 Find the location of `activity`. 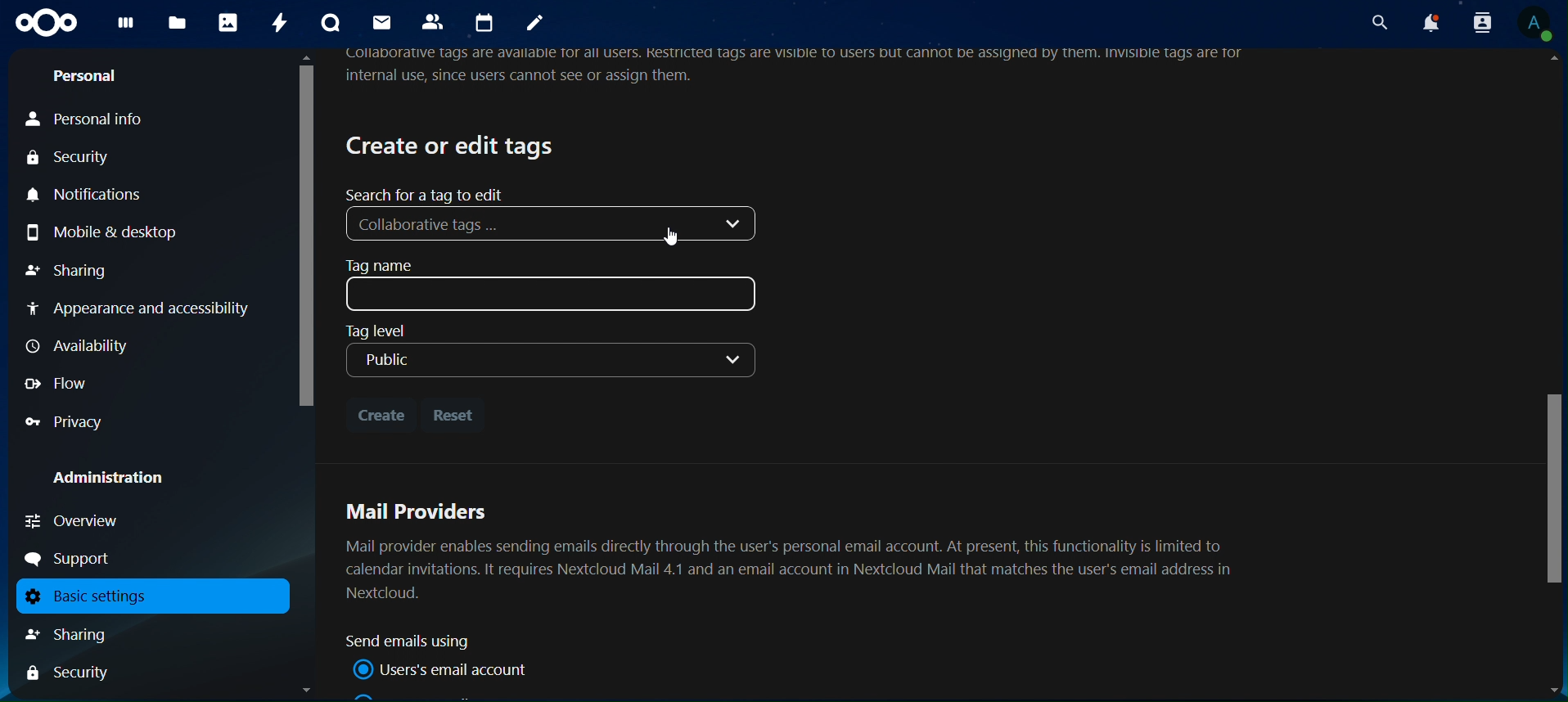

activity is located at coordinates (282, 23).